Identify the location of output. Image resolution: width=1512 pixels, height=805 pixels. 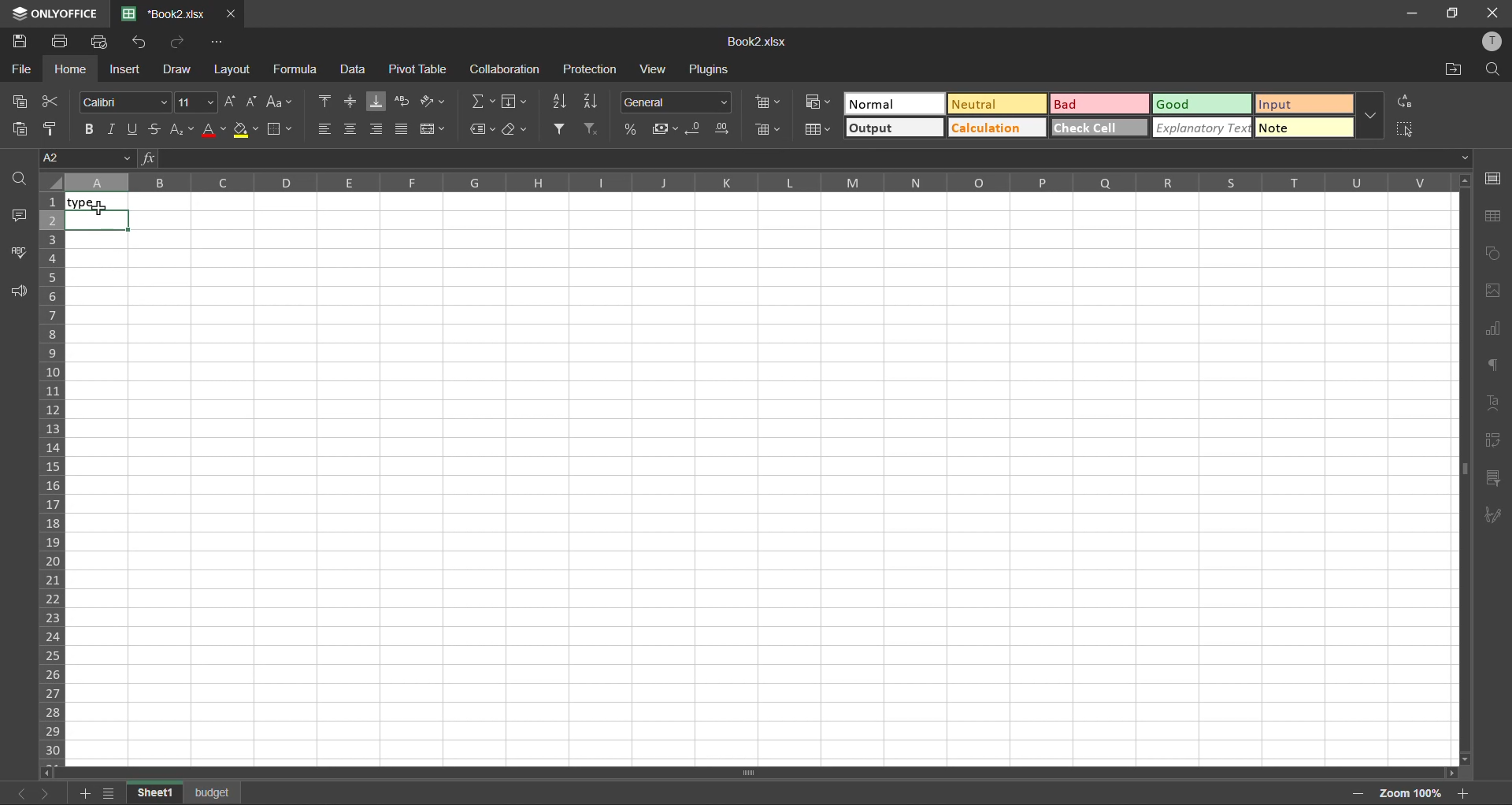
(893, 128).